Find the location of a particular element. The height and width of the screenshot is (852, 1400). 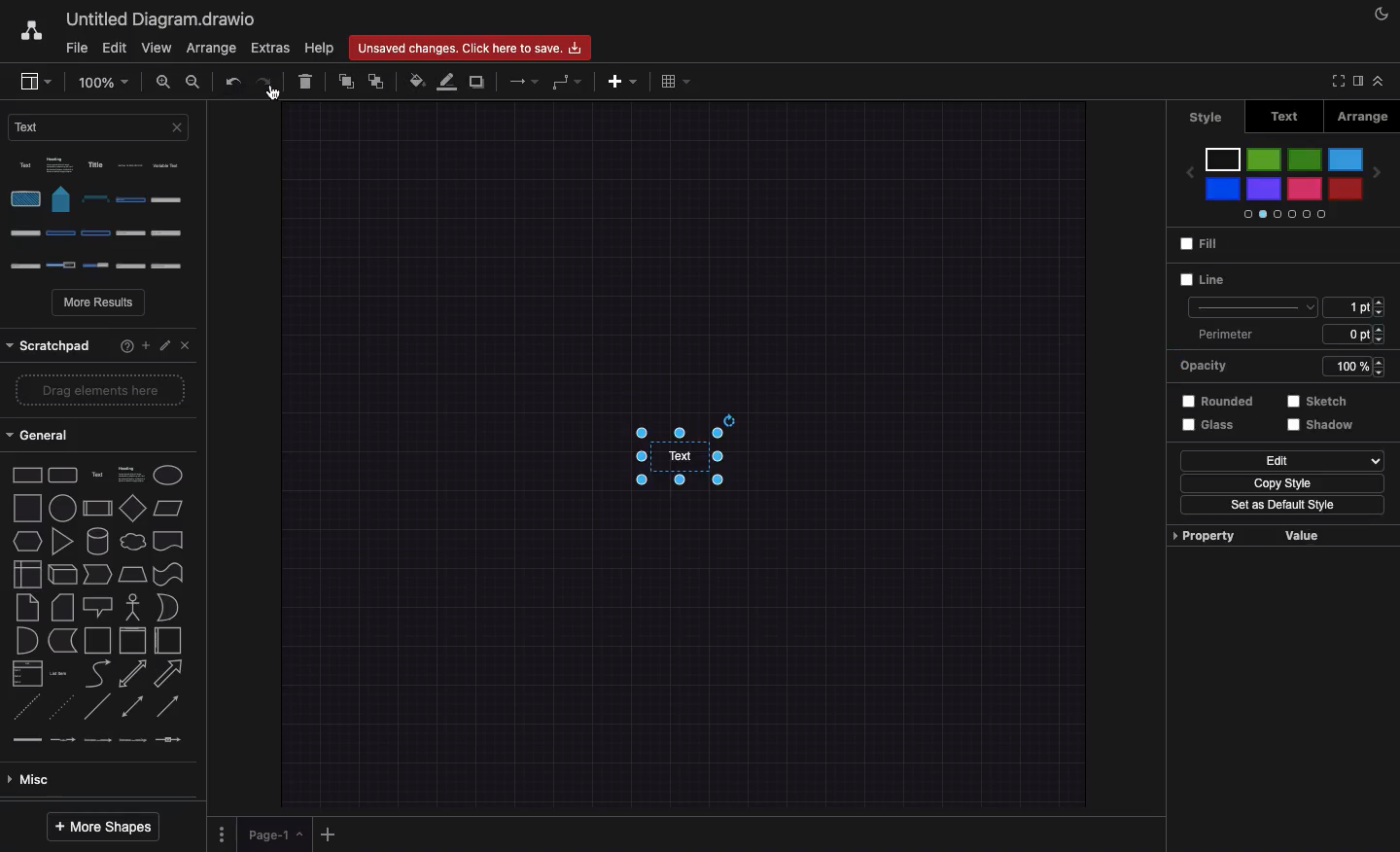

Help is located at coordinates (120, 344).